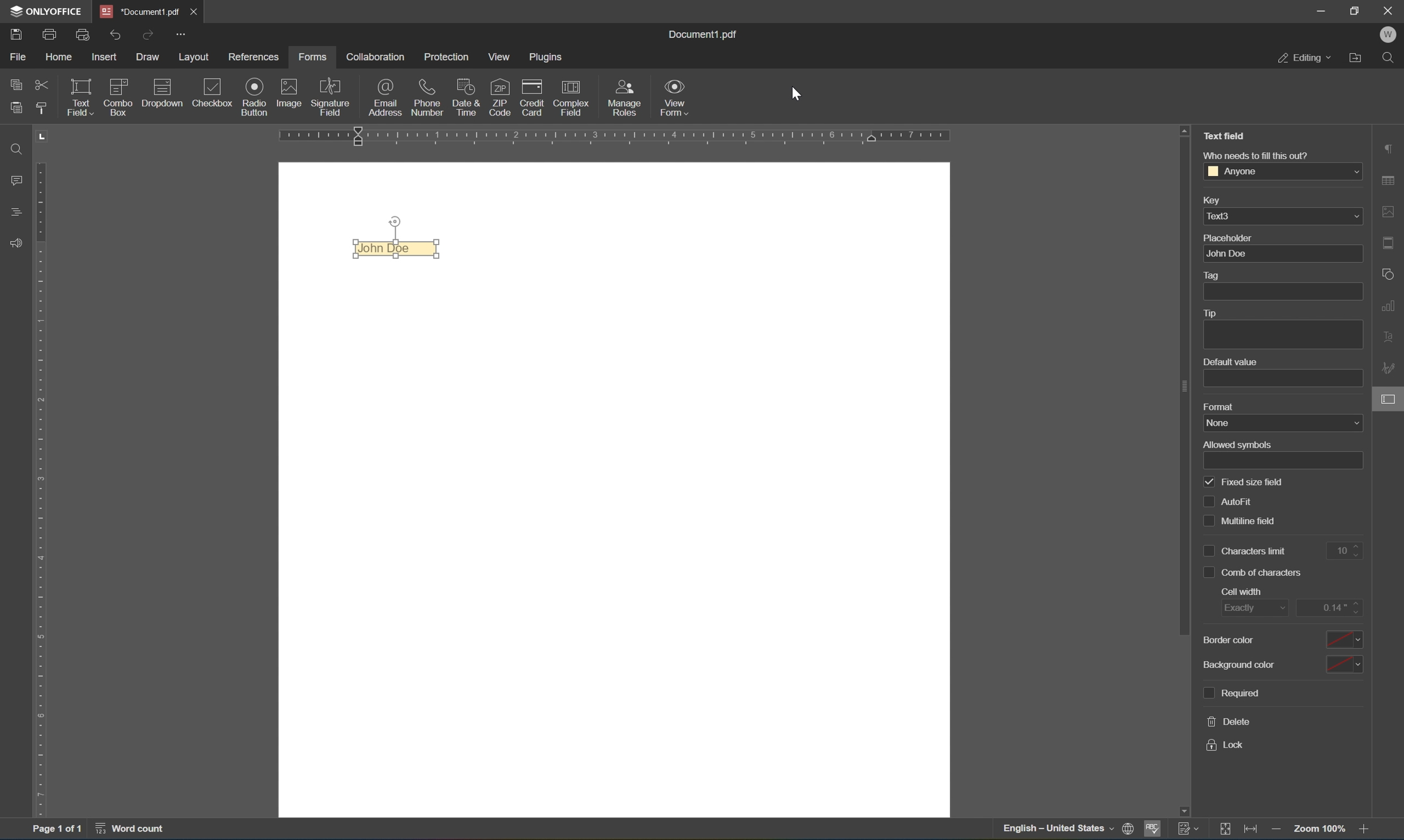 This screenshot has width=1404, height=840. What do you see at coordinates (1358, 58) in the screenshot?
I see `open file location` at bounding box center [1358, 58].